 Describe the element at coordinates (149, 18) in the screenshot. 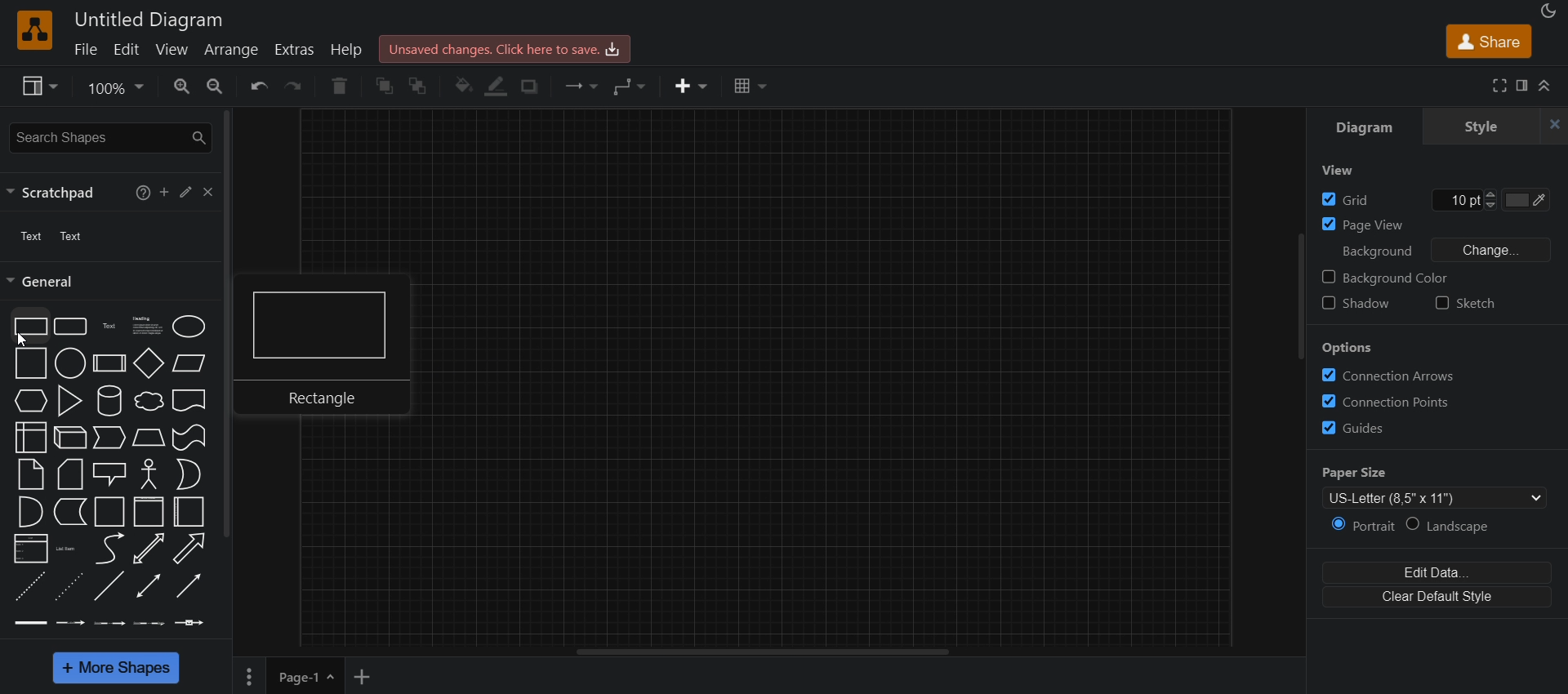

I see `title` at that location.